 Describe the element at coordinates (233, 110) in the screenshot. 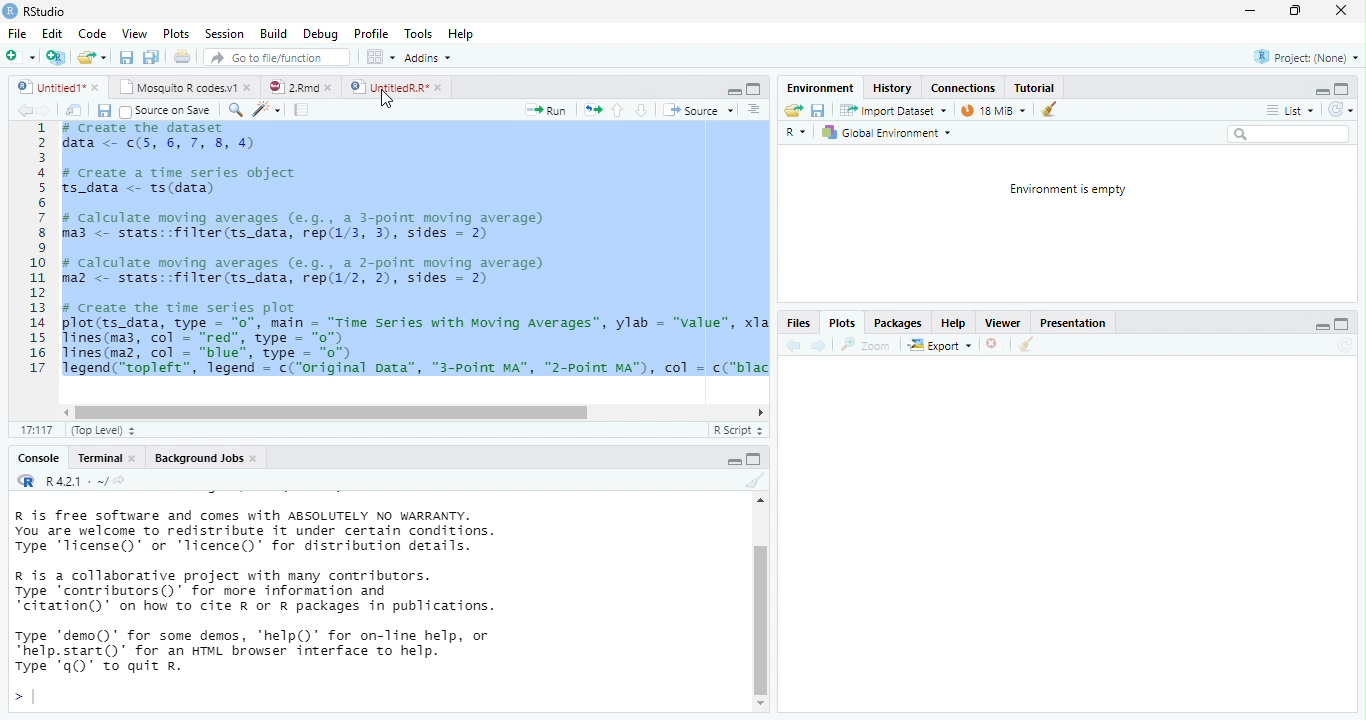

I see `search` at that location.